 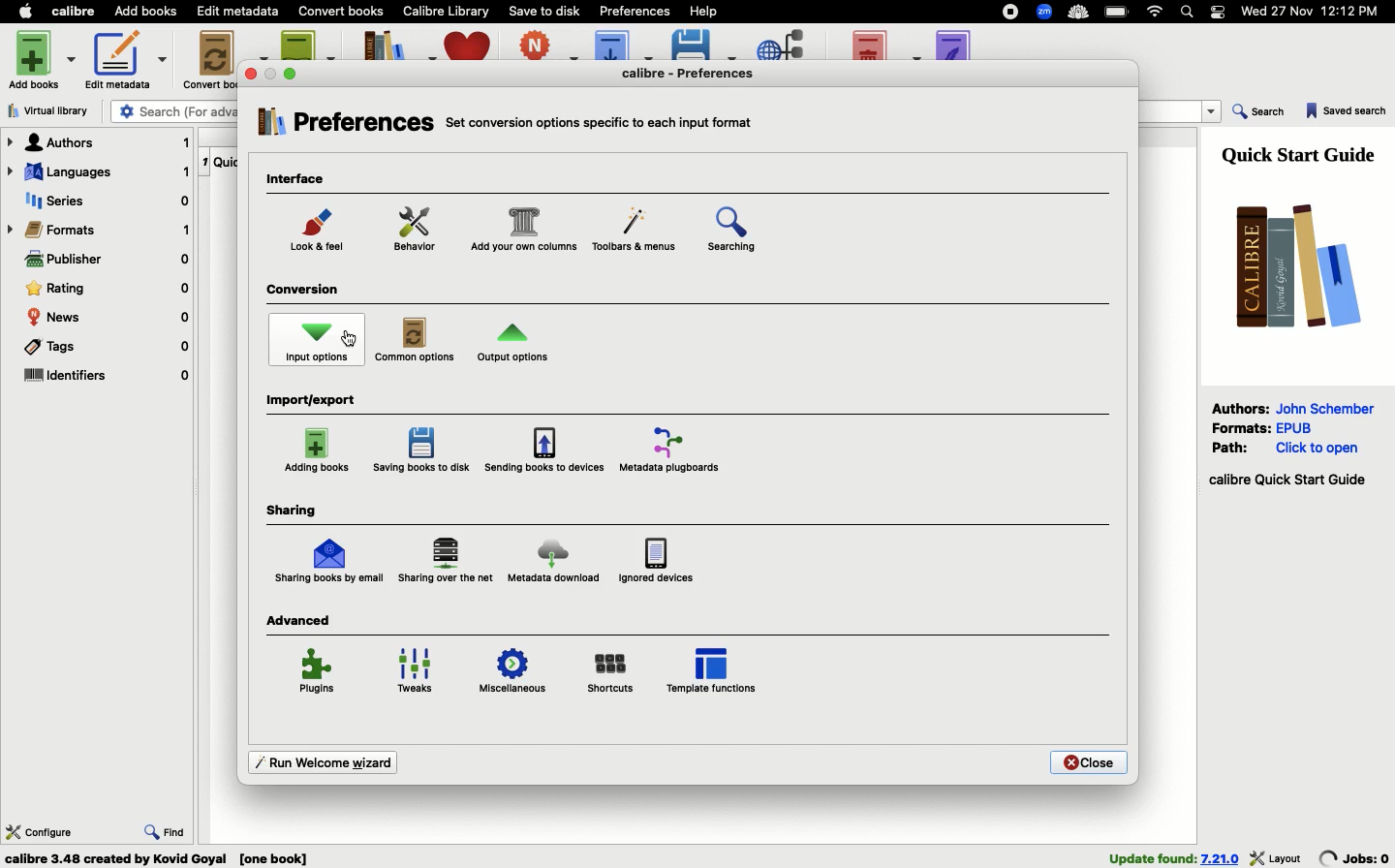 I want to click on Conversion, so click(x=306, y=292).